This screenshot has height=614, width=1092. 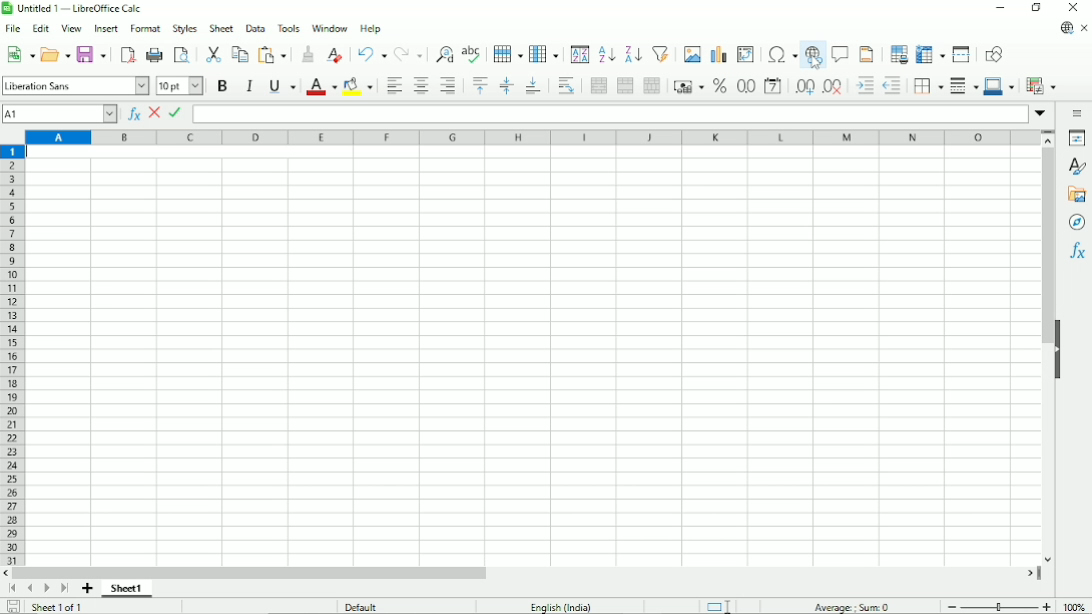 What do you see at coordinates (361, 606) in the screenshot?
I see `Default` at bounding box center [361, 606].